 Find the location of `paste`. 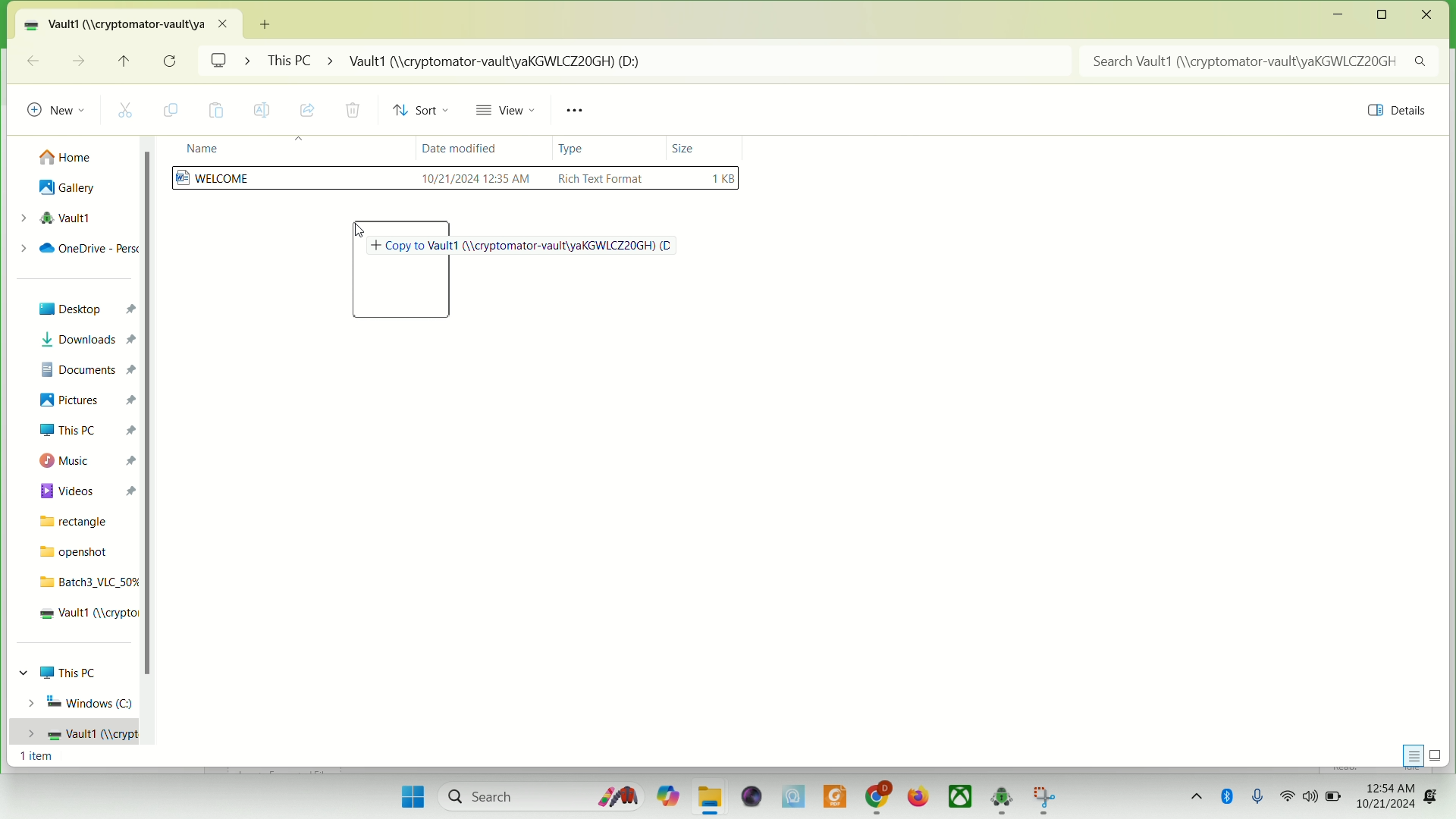

paste is located at coordinates (217, 111).